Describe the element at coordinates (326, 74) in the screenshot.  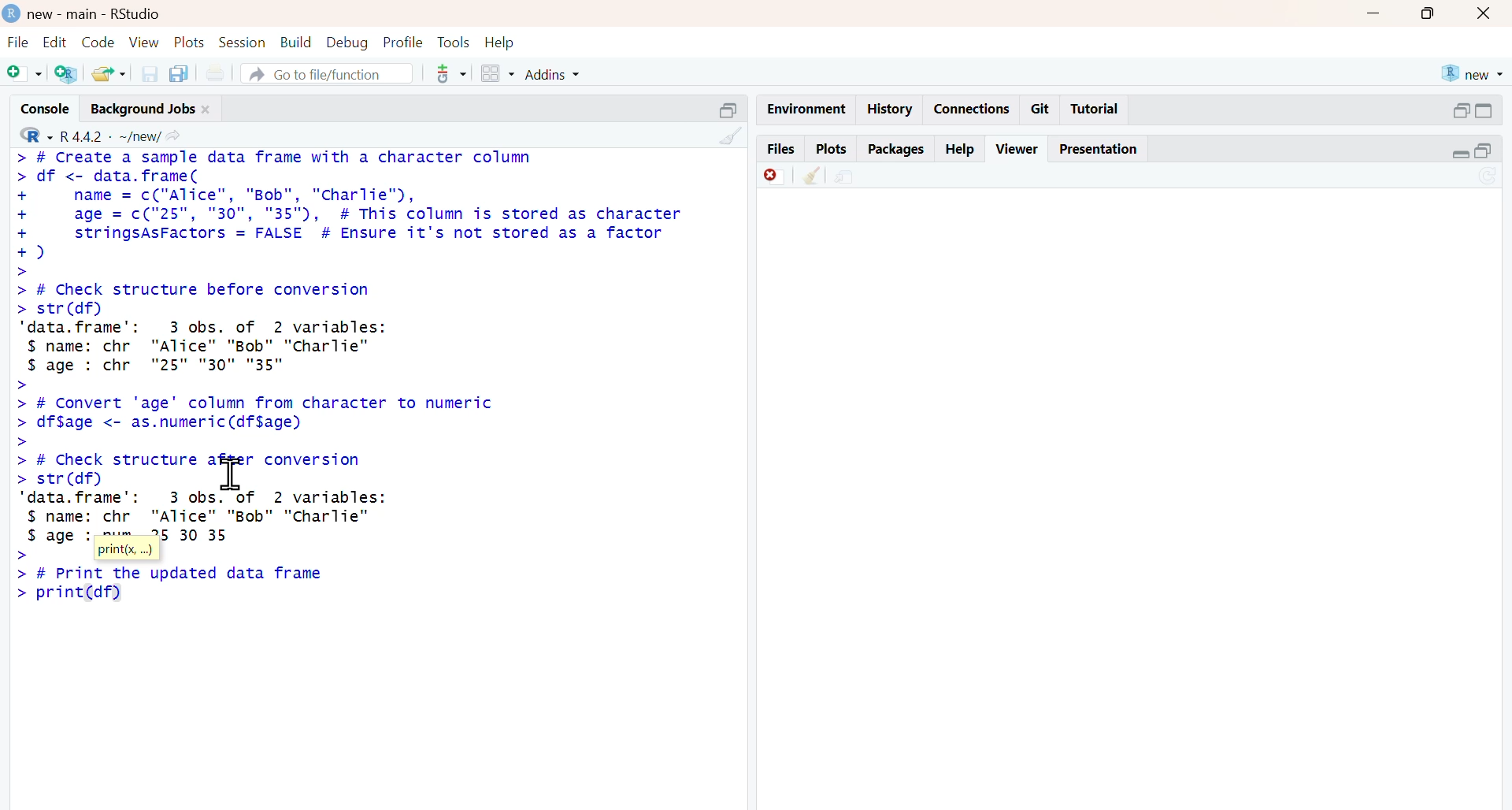
I see `go to file/function` at that location.